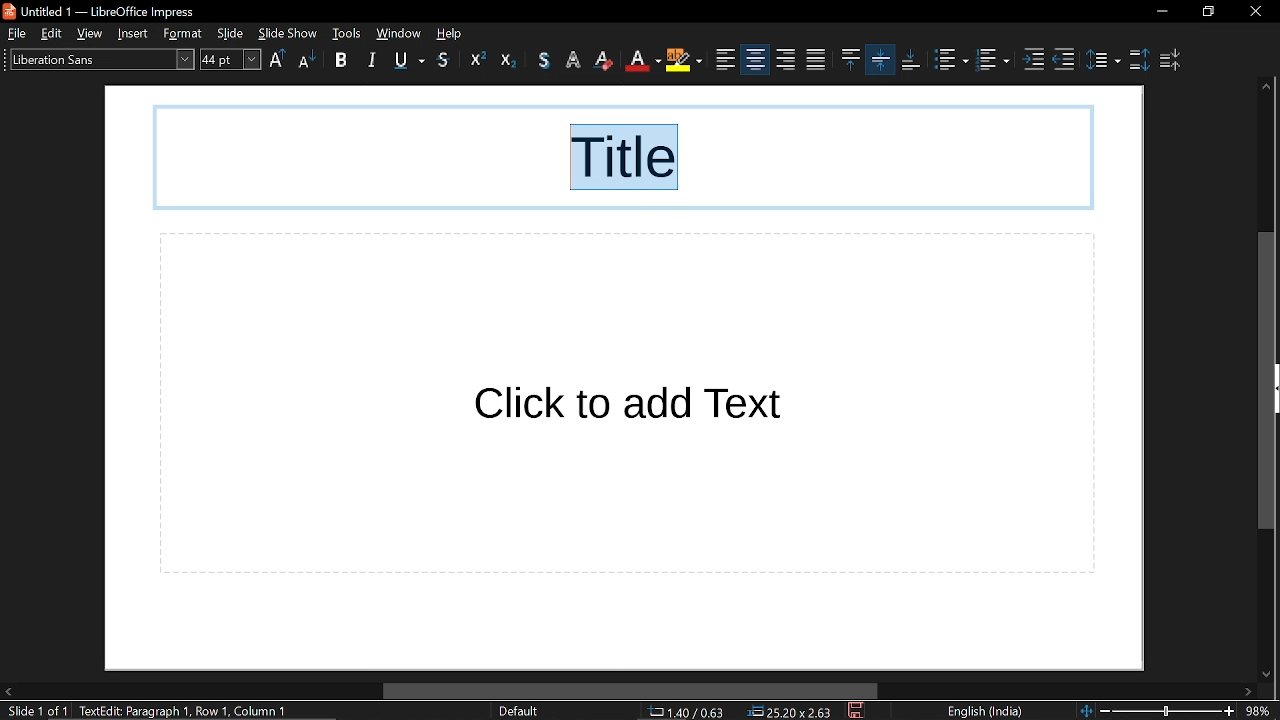  Describe the element at coordinates (546, 60) in the screenshot. I see `outline` at that location.